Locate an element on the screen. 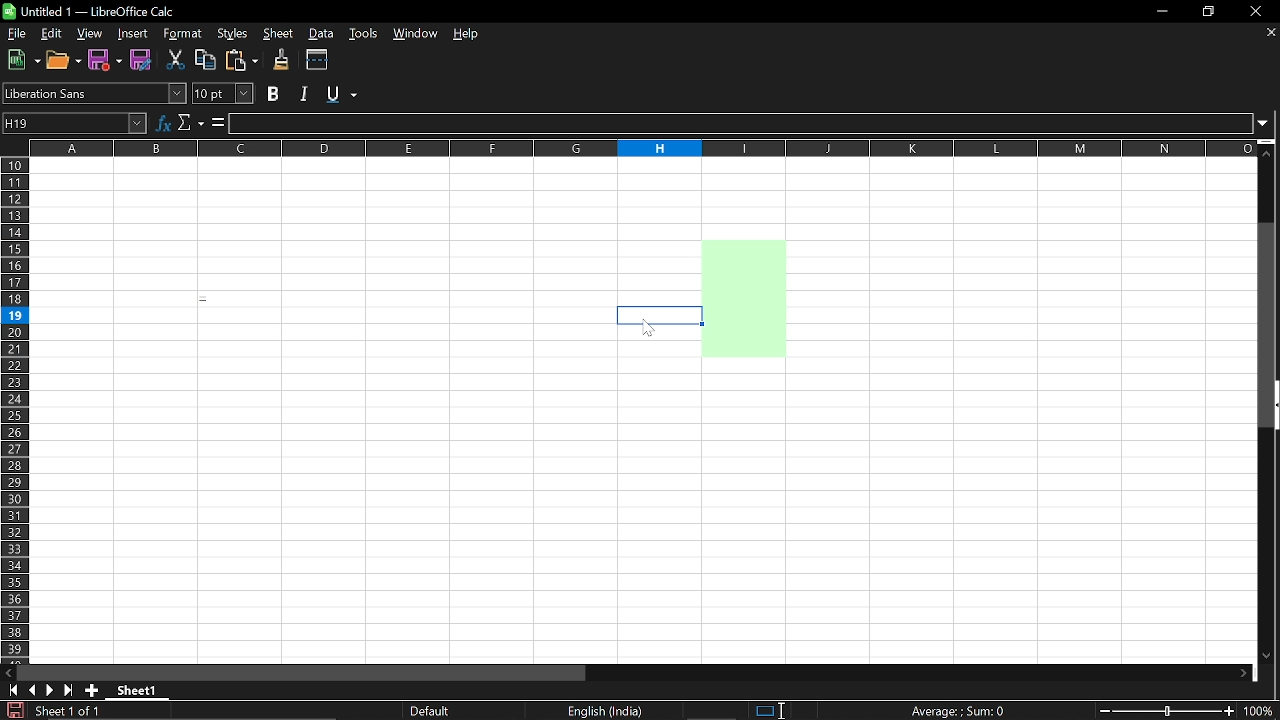 This screenshot has width=1280, height=720. Format is located at coordinates (181, 34).